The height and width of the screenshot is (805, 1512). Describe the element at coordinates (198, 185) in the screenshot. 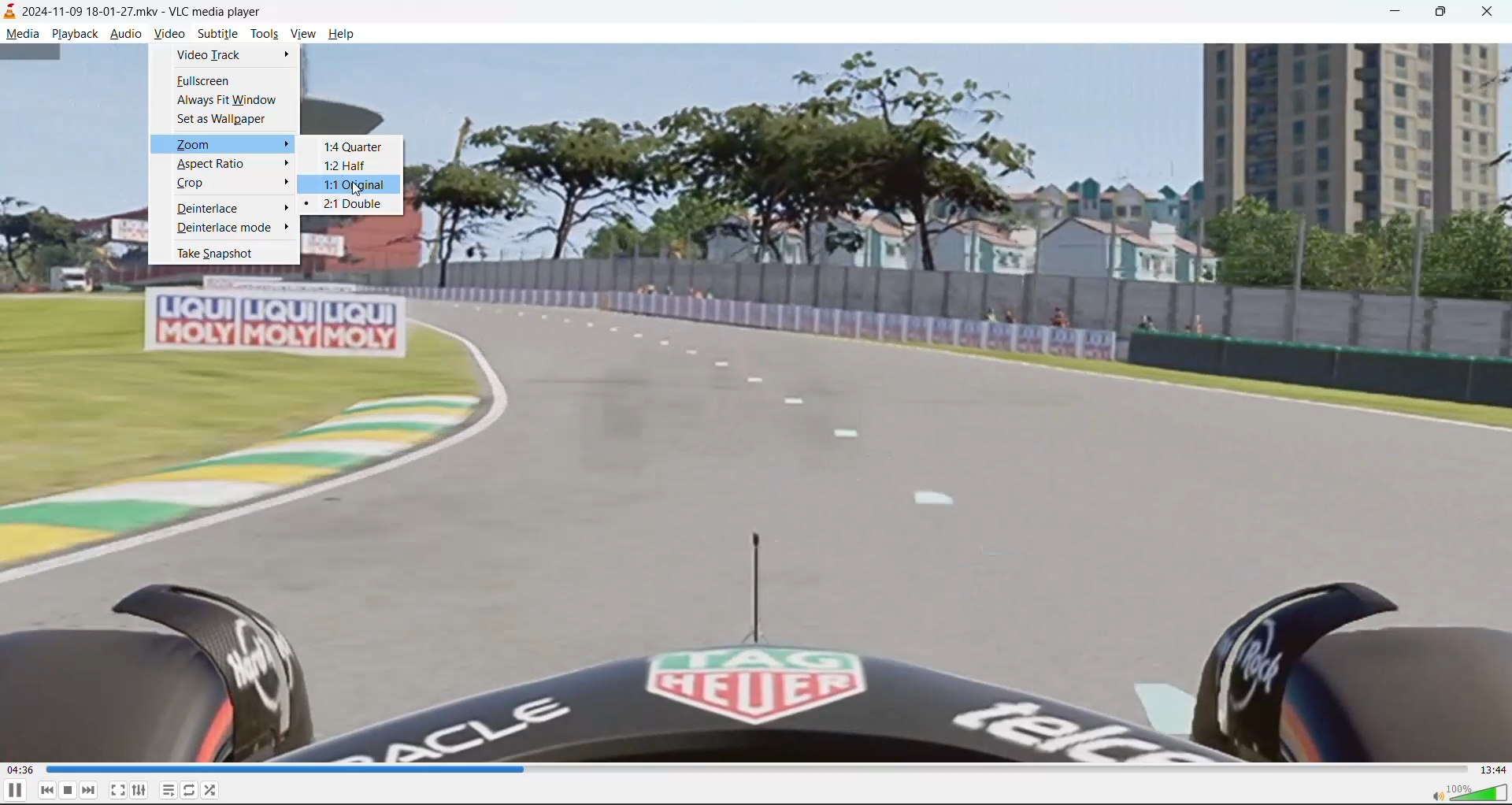

I see `crop` at that location.